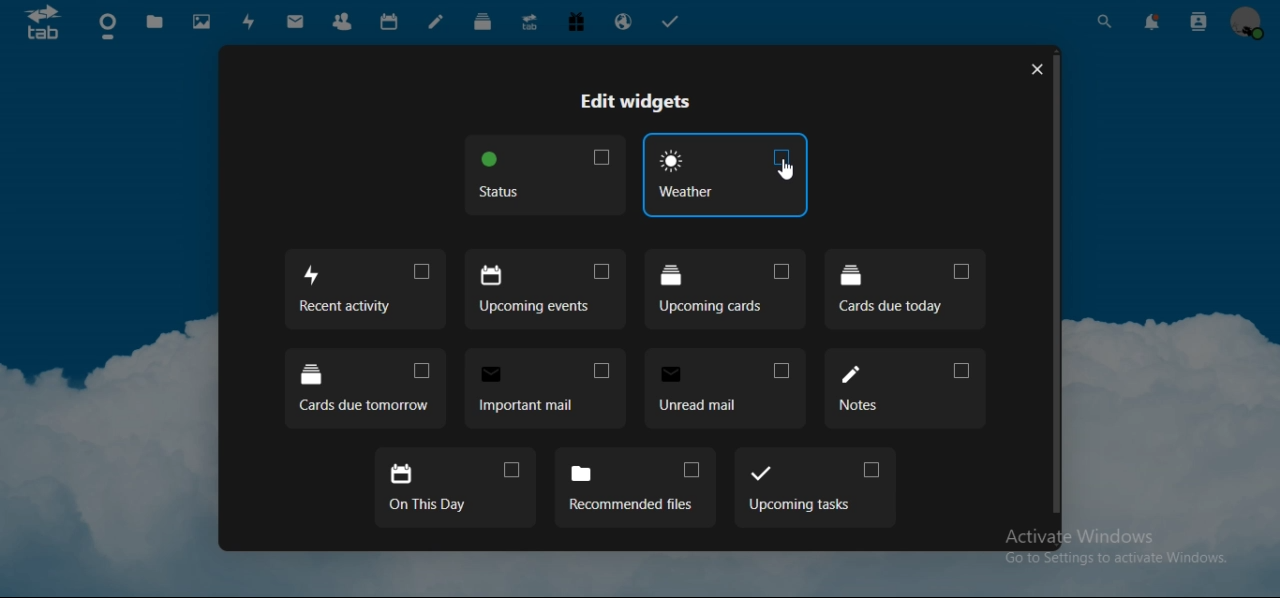  Describe the element at coordinates (452, 488) in the screenshot. I see `on this day` at that location.